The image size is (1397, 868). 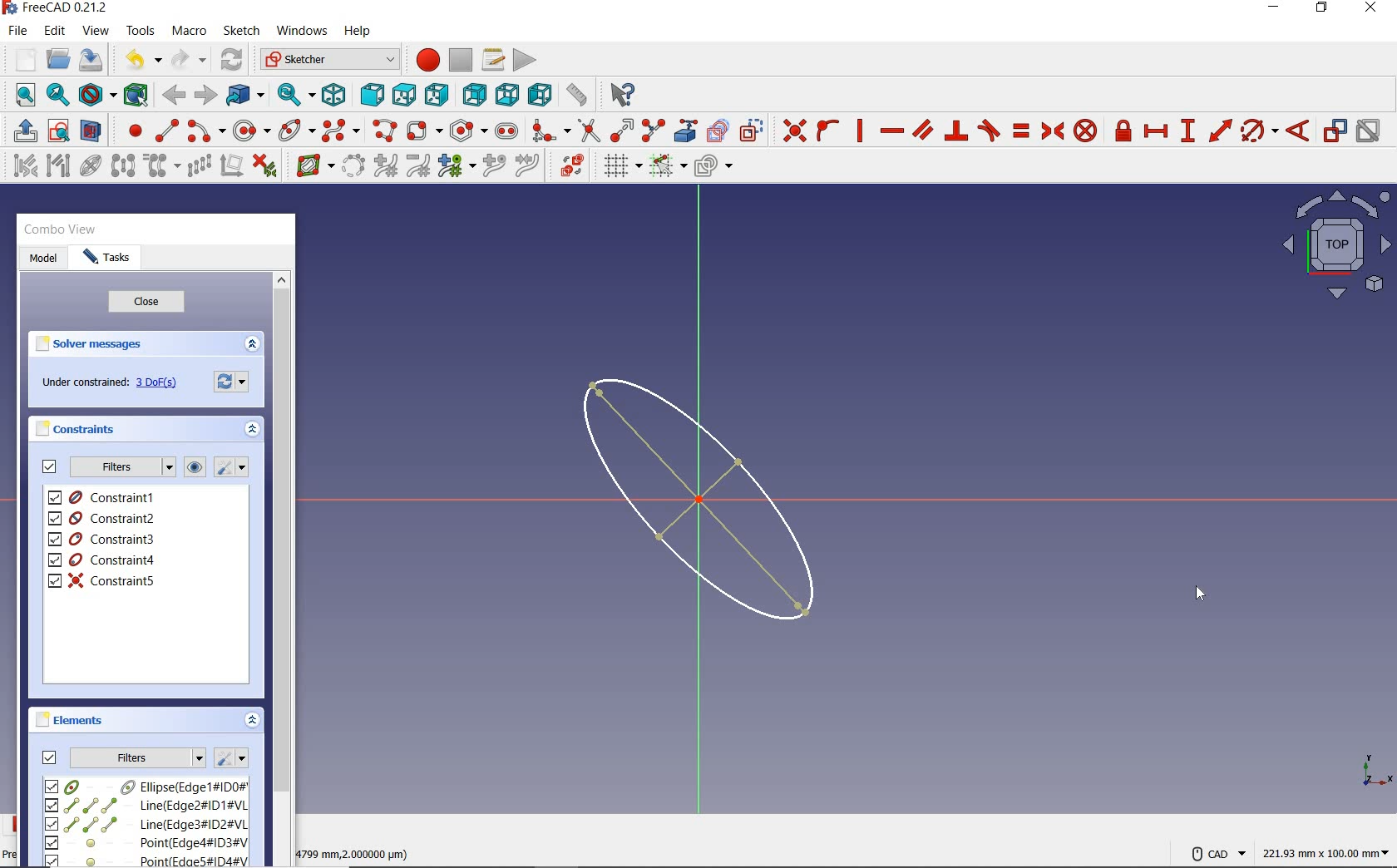 I want to click on constraint3, so click(x=103, y=540).